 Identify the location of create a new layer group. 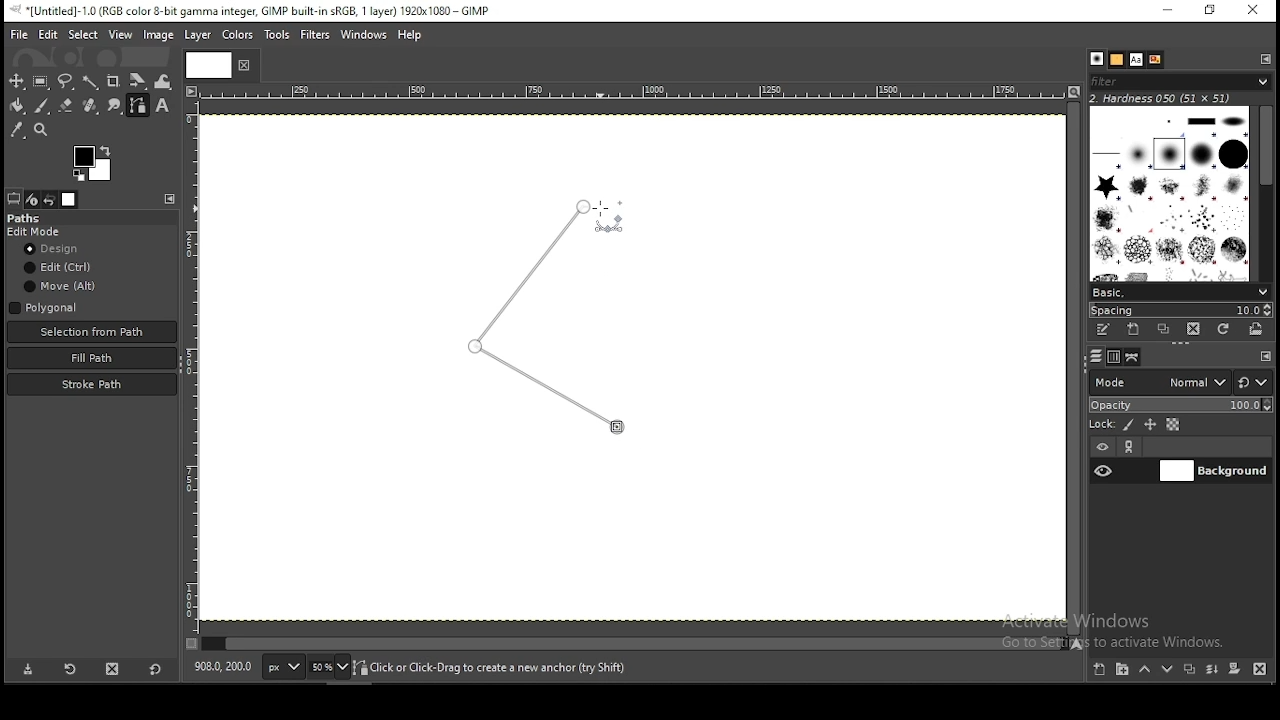
(1124, 671).